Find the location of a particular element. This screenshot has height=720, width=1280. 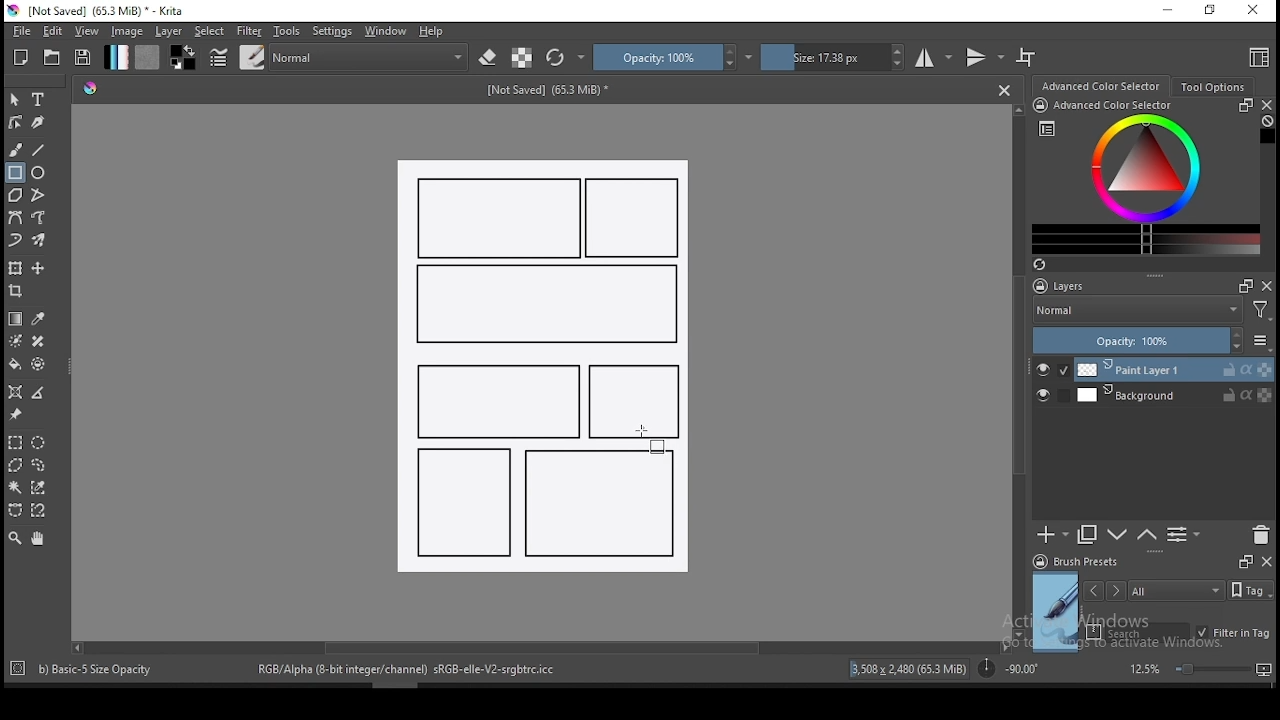

close docker is located at coordinates (1266, 560).